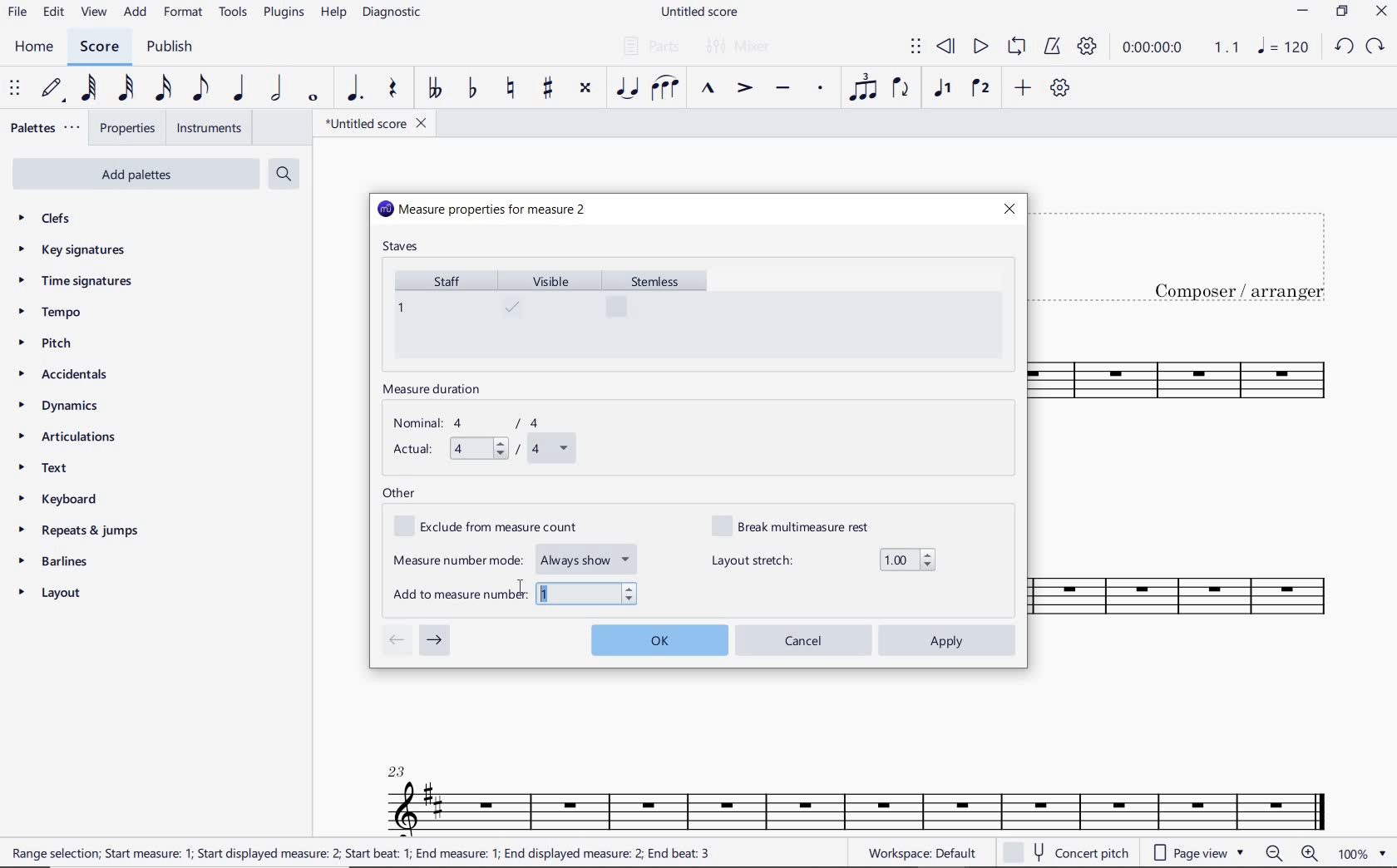 The width and height of the screenshot is (1397, 868). I want to click on other, so click(399, 494).